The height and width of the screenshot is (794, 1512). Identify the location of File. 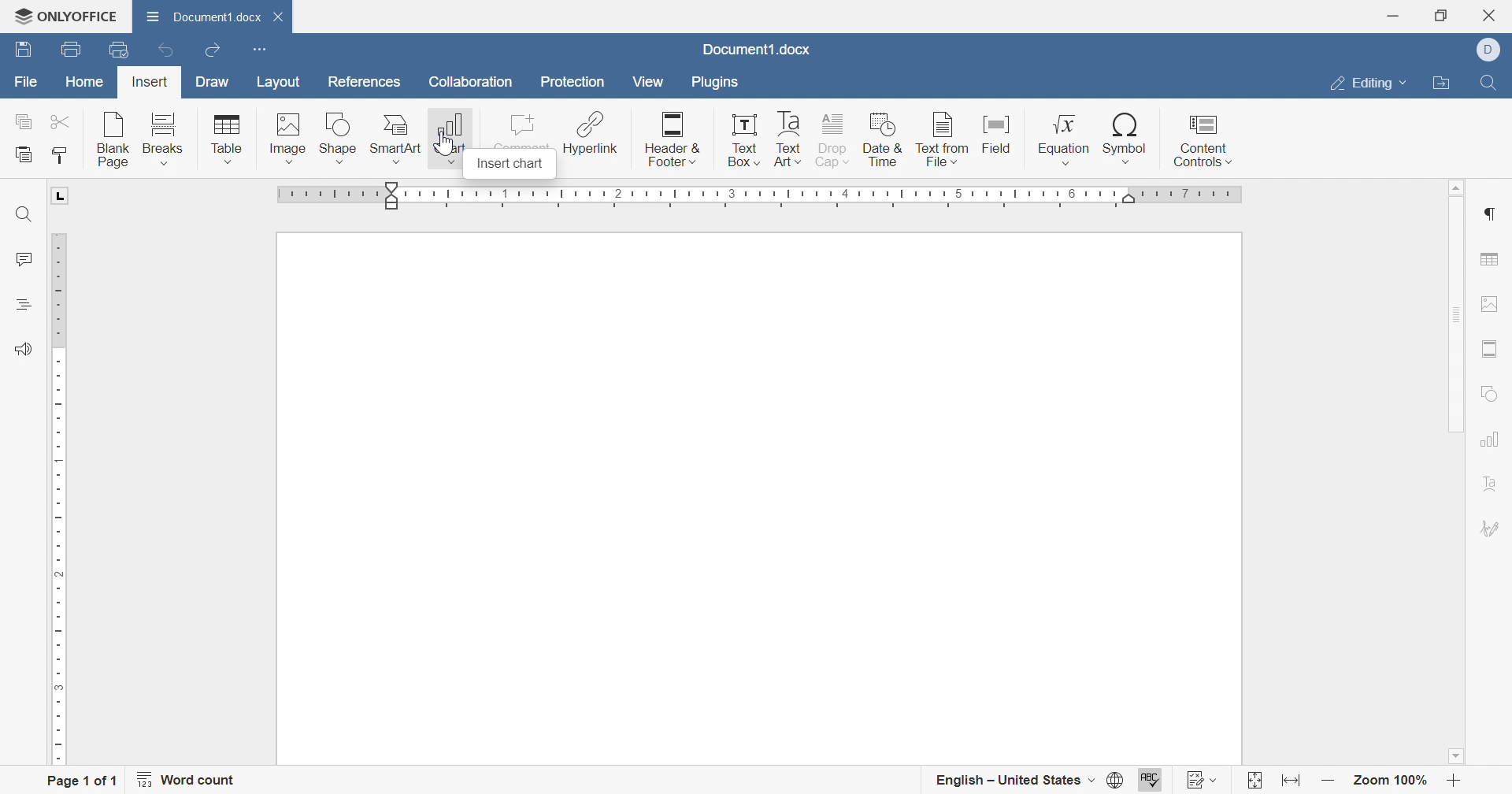
(23, 81).